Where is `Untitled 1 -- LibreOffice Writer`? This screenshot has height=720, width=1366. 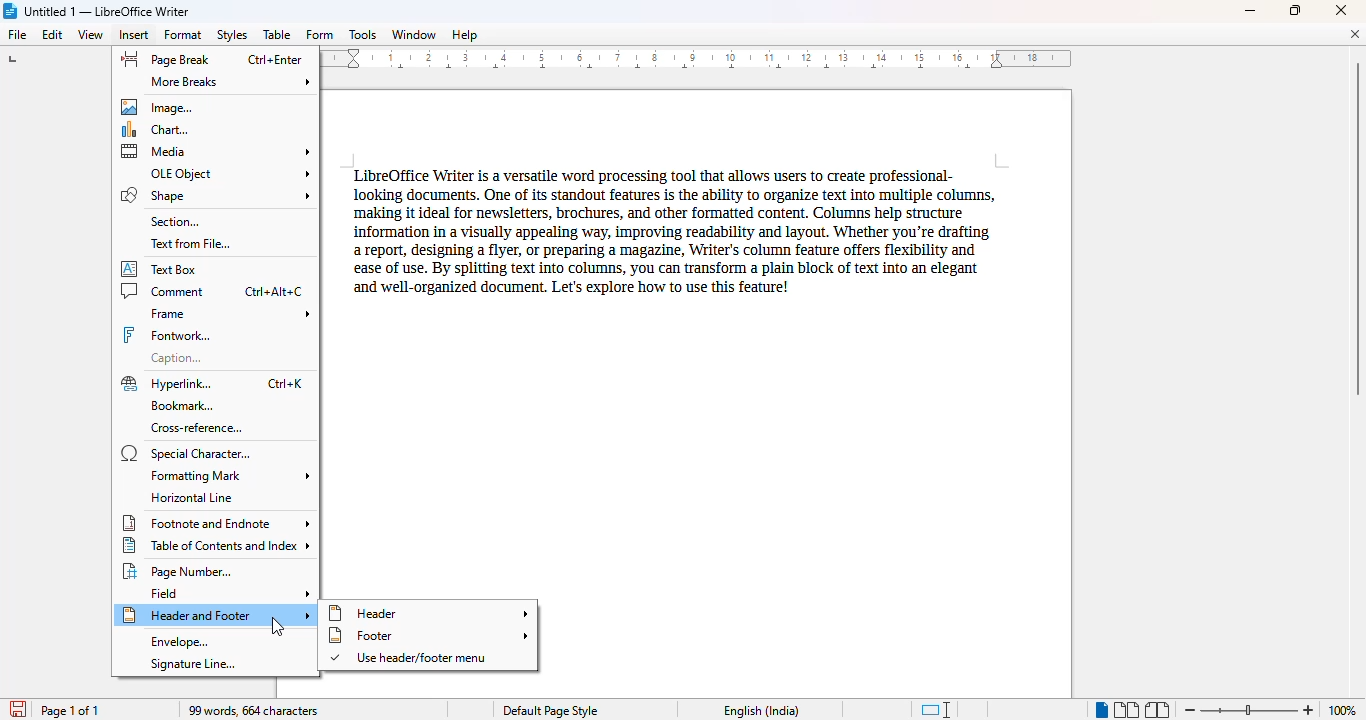
Untitled 1 -- LibreOffice Writer is located at coordinates (110, 10).